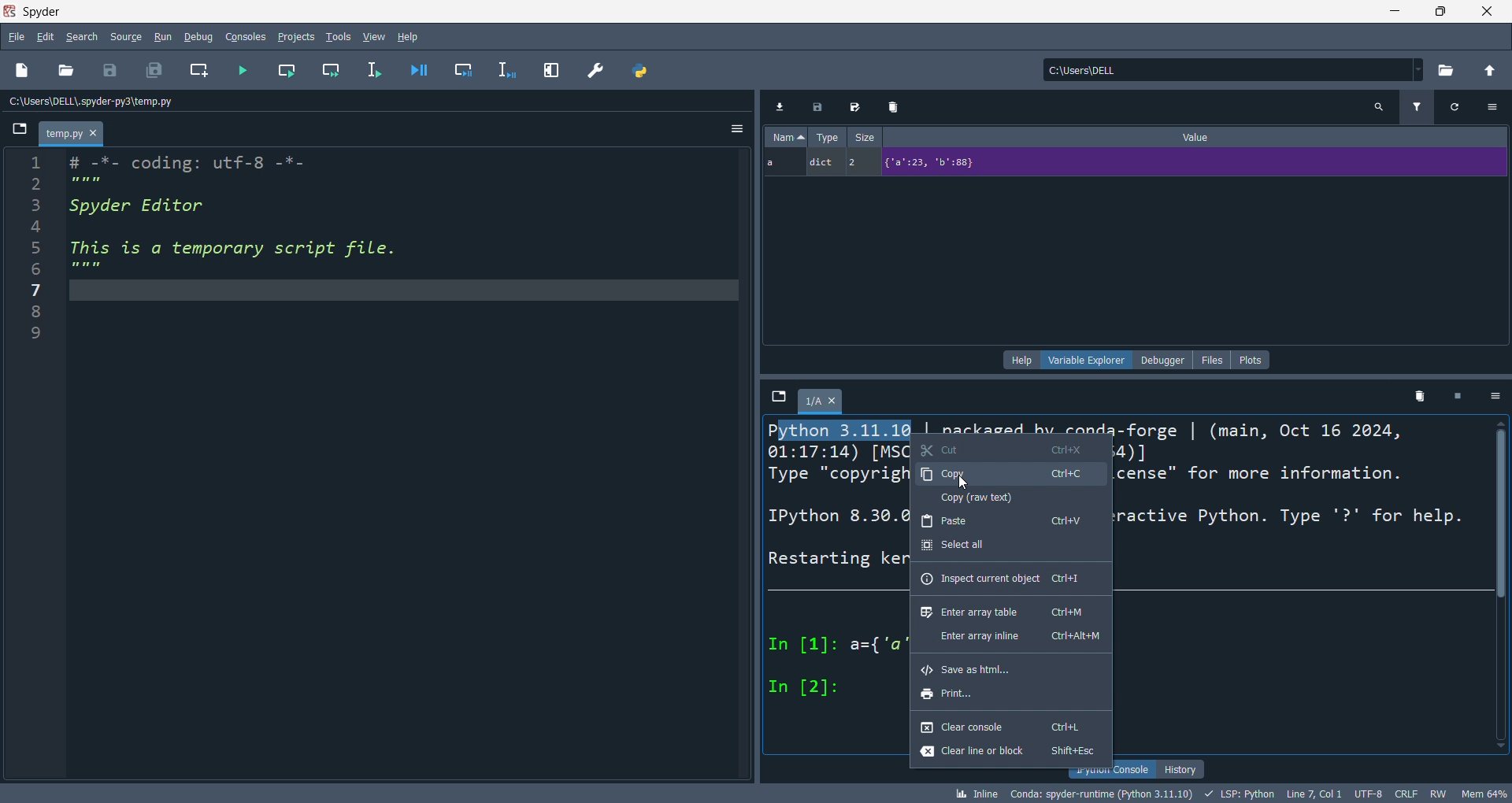  I want to click on browse tabs, so click(20, 132).